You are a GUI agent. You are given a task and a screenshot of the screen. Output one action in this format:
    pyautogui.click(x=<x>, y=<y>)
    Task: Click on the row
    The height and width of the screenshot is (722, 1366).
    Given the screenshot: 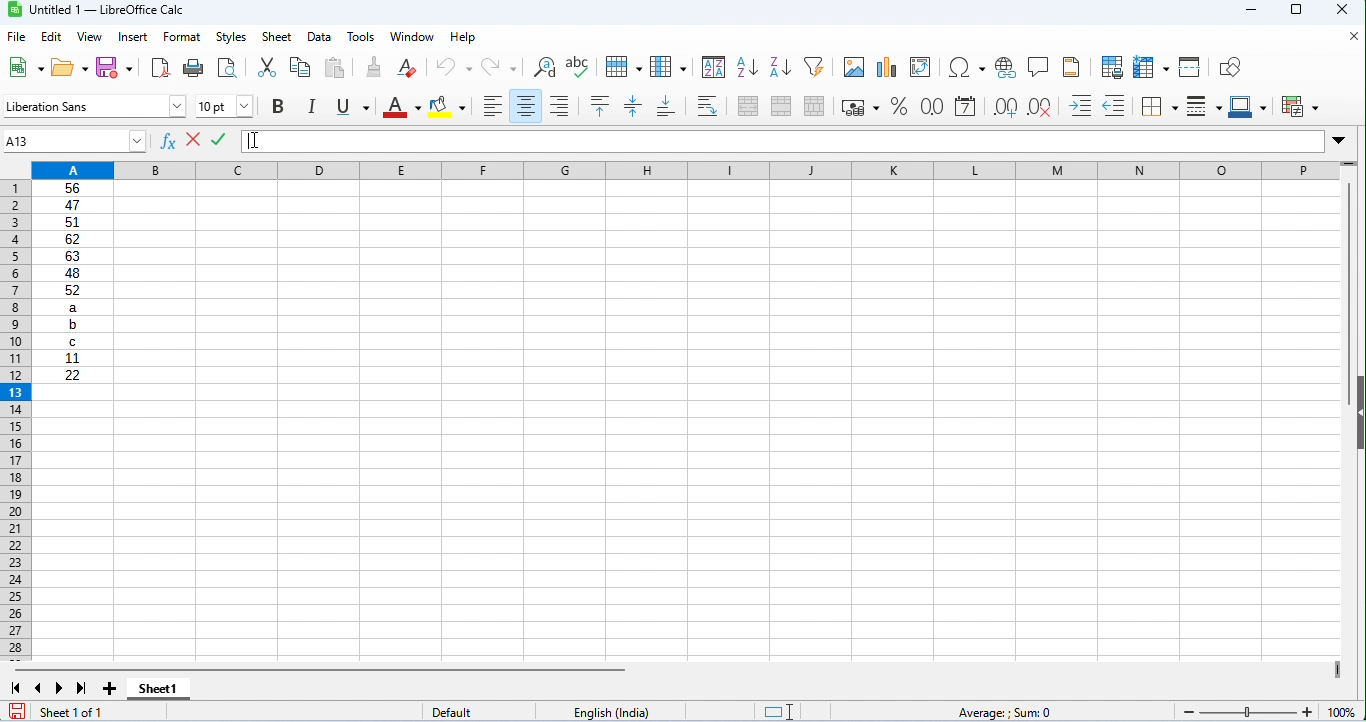 What is the action you would take?
    pyautogui.click(x=622, y=65)
    